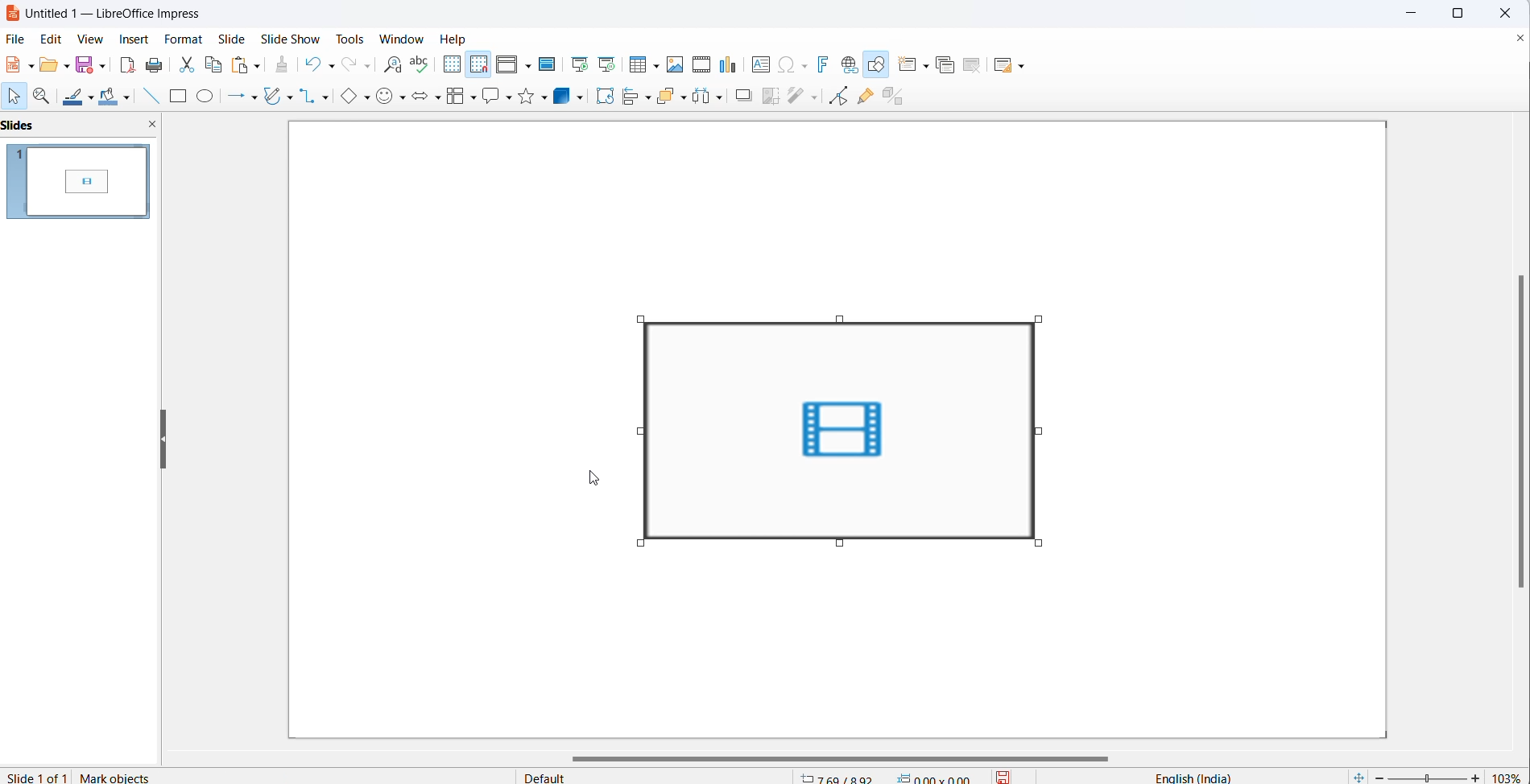 This screenshot has width=1530, height=784. What do you see at coordinates (579, 64) in the screenshot?
I see `start from first slide` at bounding box center [579, 64].